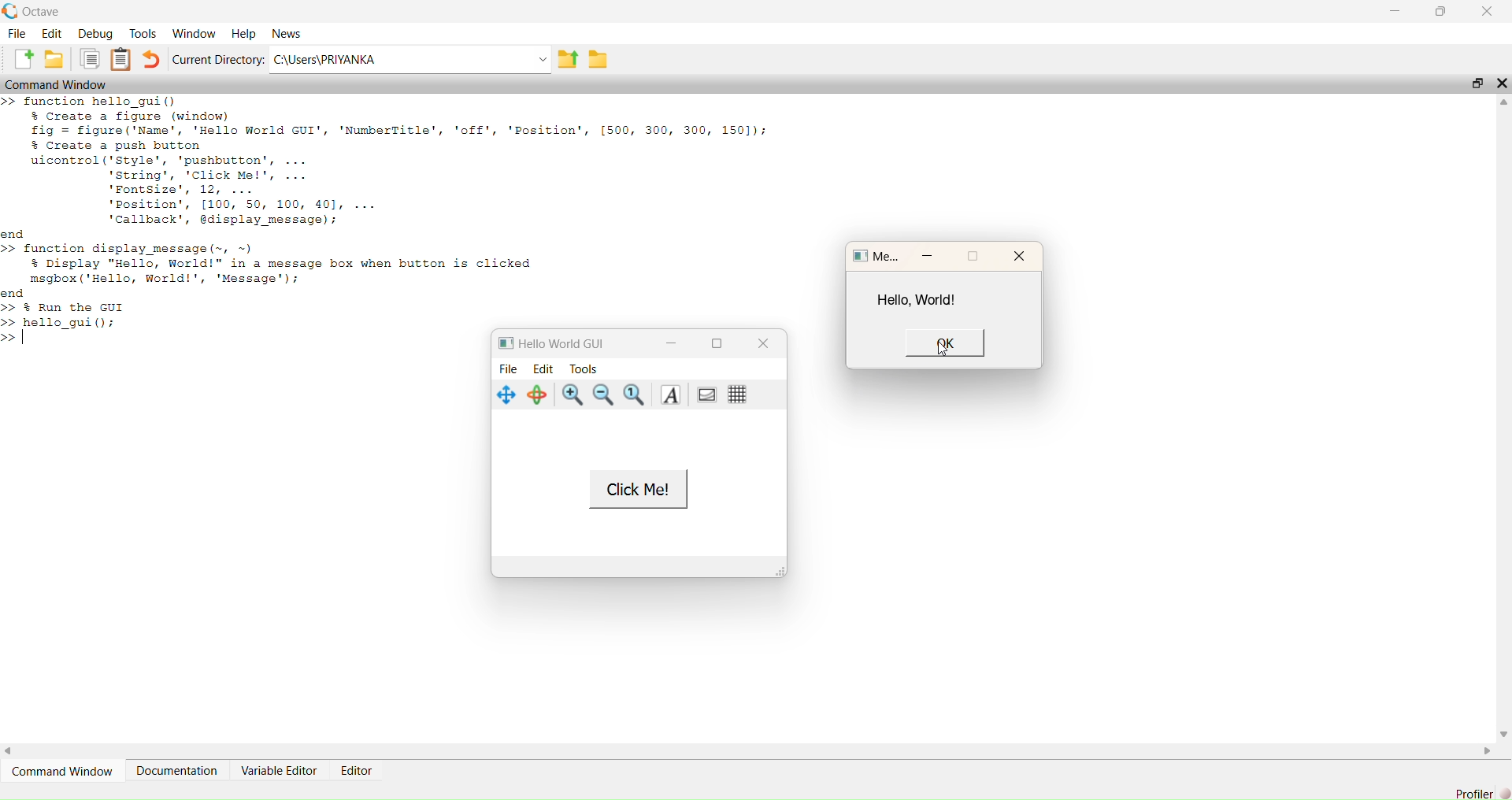 The image size is (1512, 800). What do you see at coordinates (763, 343) in the screenshot?
I see `close` at bounding box center [763, 343].